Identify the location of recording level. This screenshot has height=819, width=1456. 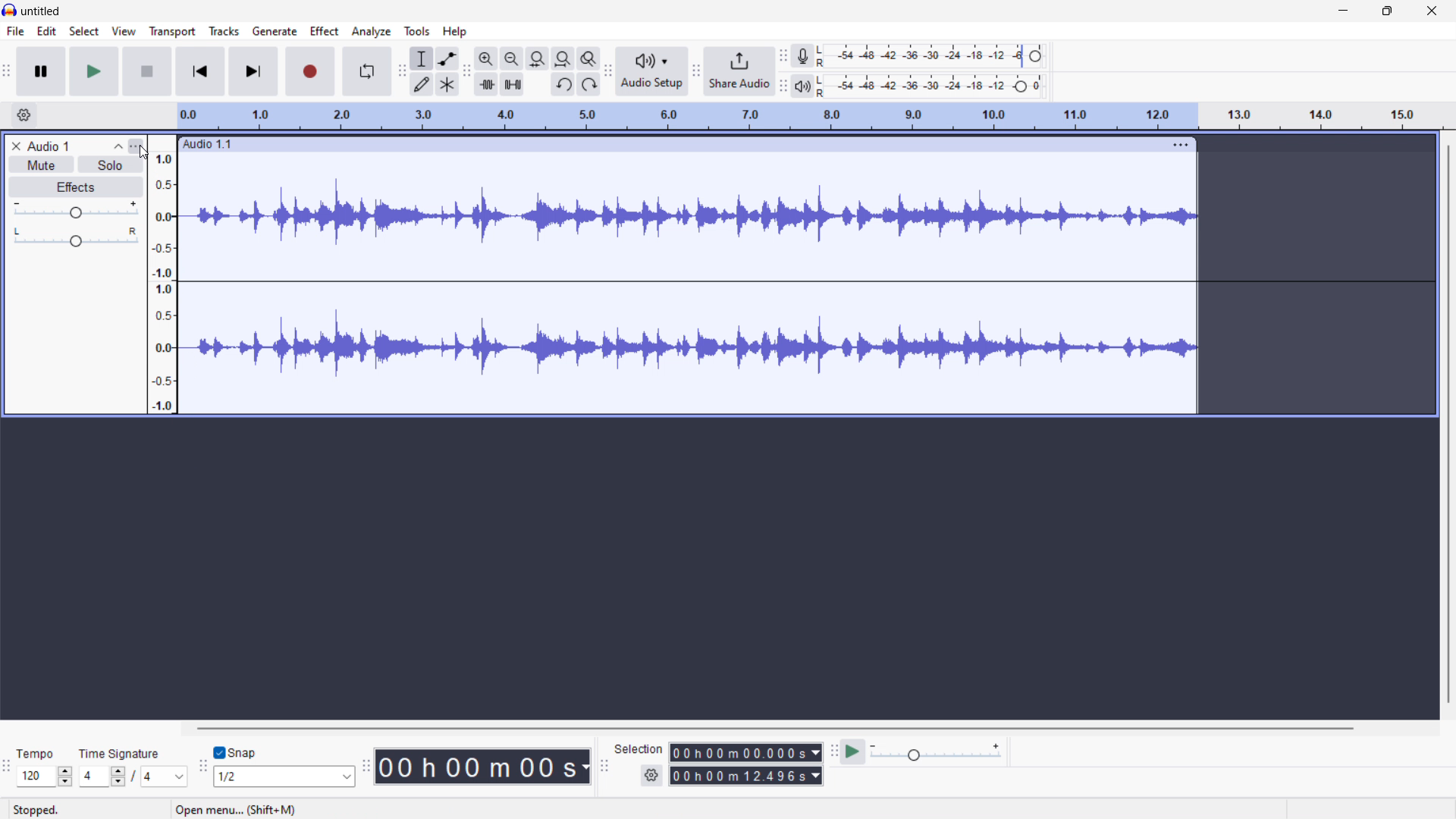
(932, 55).